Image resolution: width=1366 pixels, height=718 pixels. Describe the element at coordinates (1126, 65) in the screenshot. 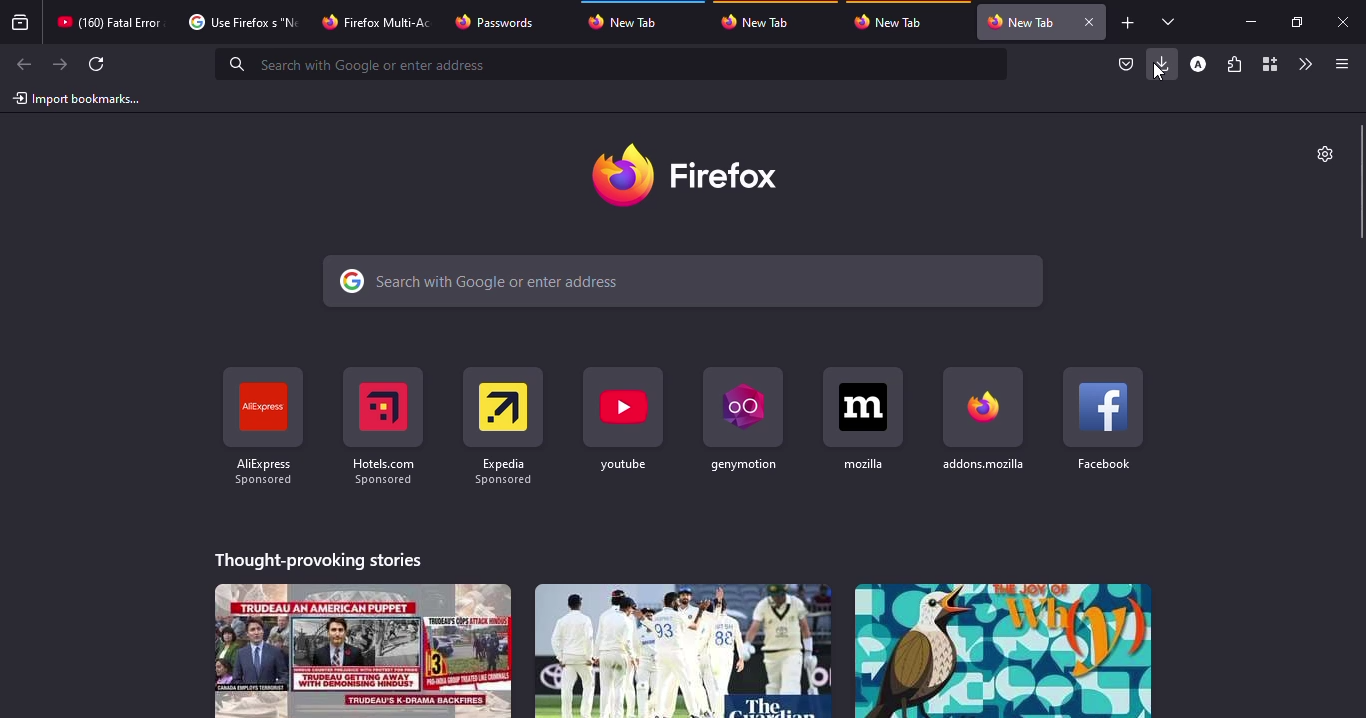

I see `save to pocket` at that location.